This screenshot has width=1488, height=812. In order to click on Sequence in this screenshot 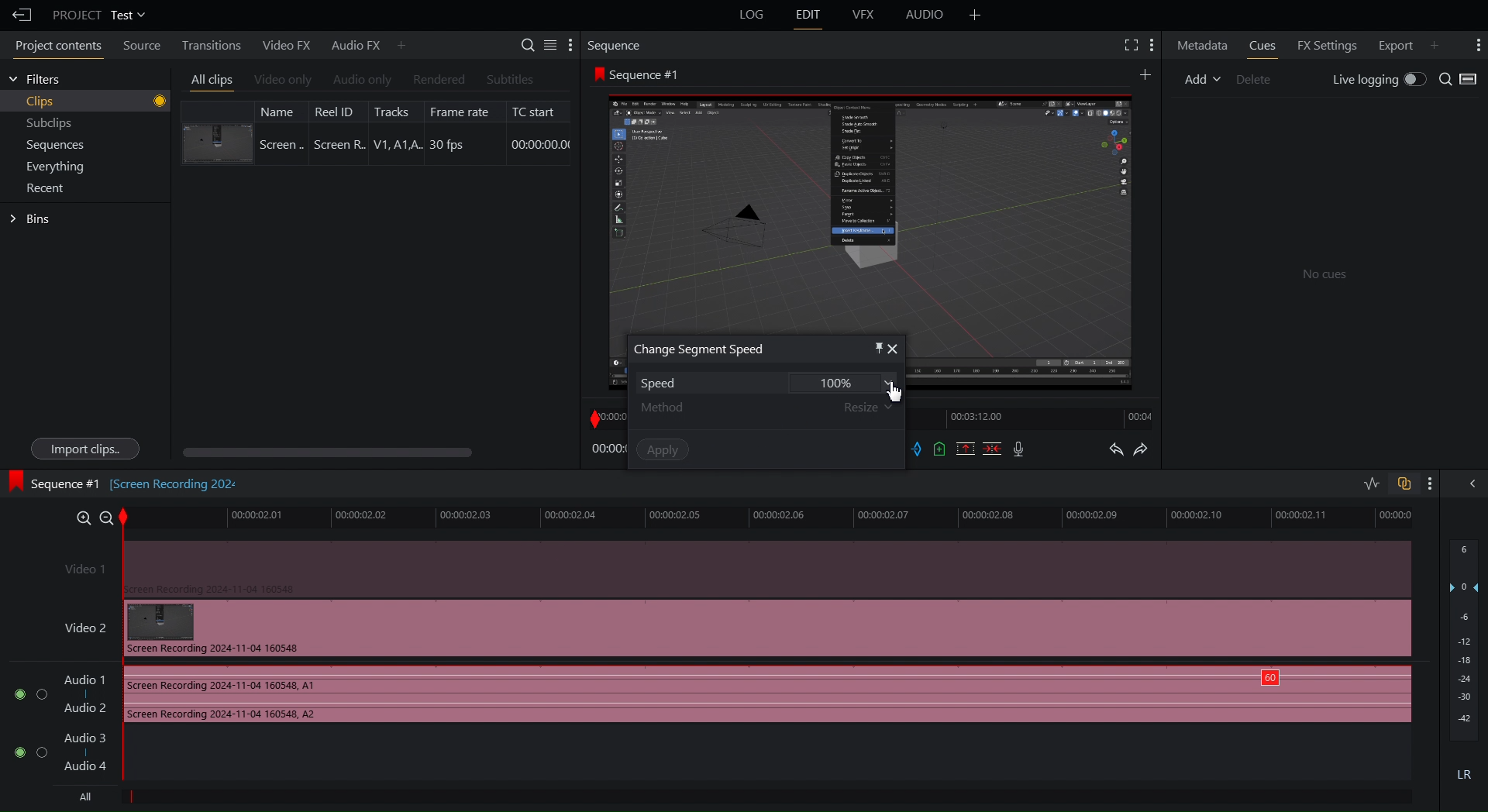, I will do `click(619, 45)`.